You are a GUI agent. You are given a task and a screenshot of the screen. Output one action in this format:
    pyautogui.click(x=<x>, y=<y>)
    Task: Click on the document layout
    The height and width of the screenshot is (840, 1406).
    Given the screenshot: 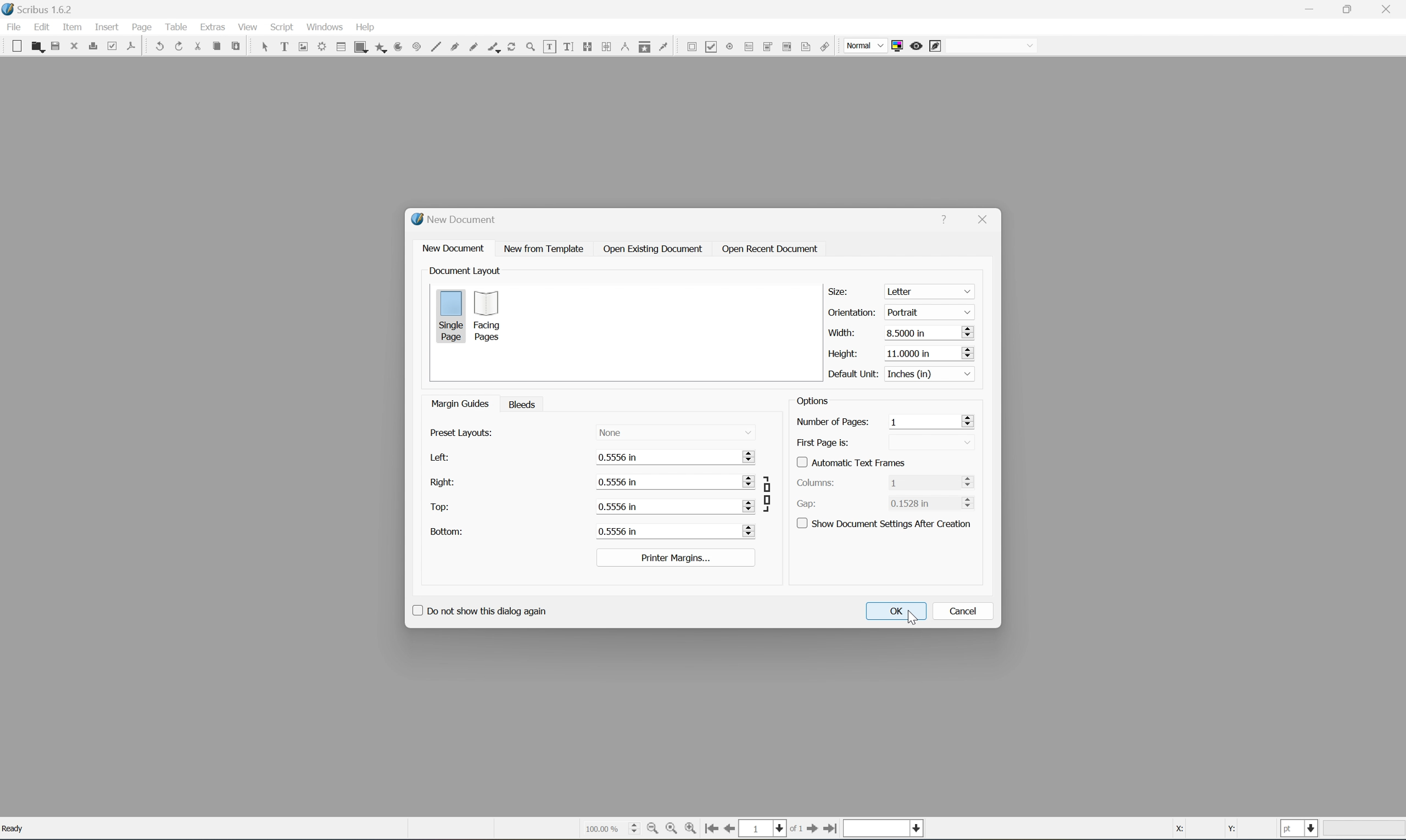 What is the action you would take?
    pyautogui.click(x=466, y=270)
    